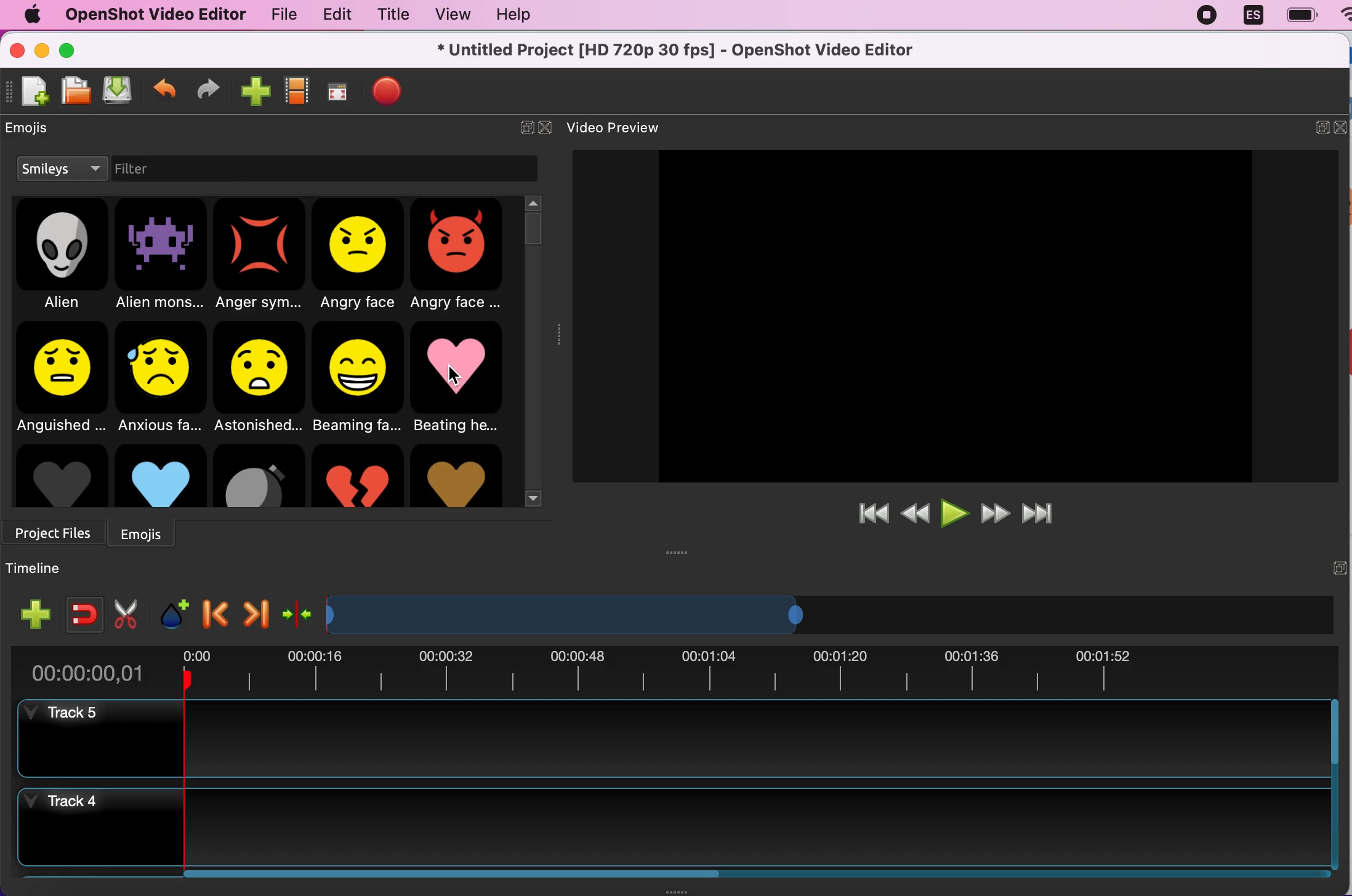 Image resolution: width=1352 pixels, height=896 pixels. I want to click on new file, so click(29, 97).